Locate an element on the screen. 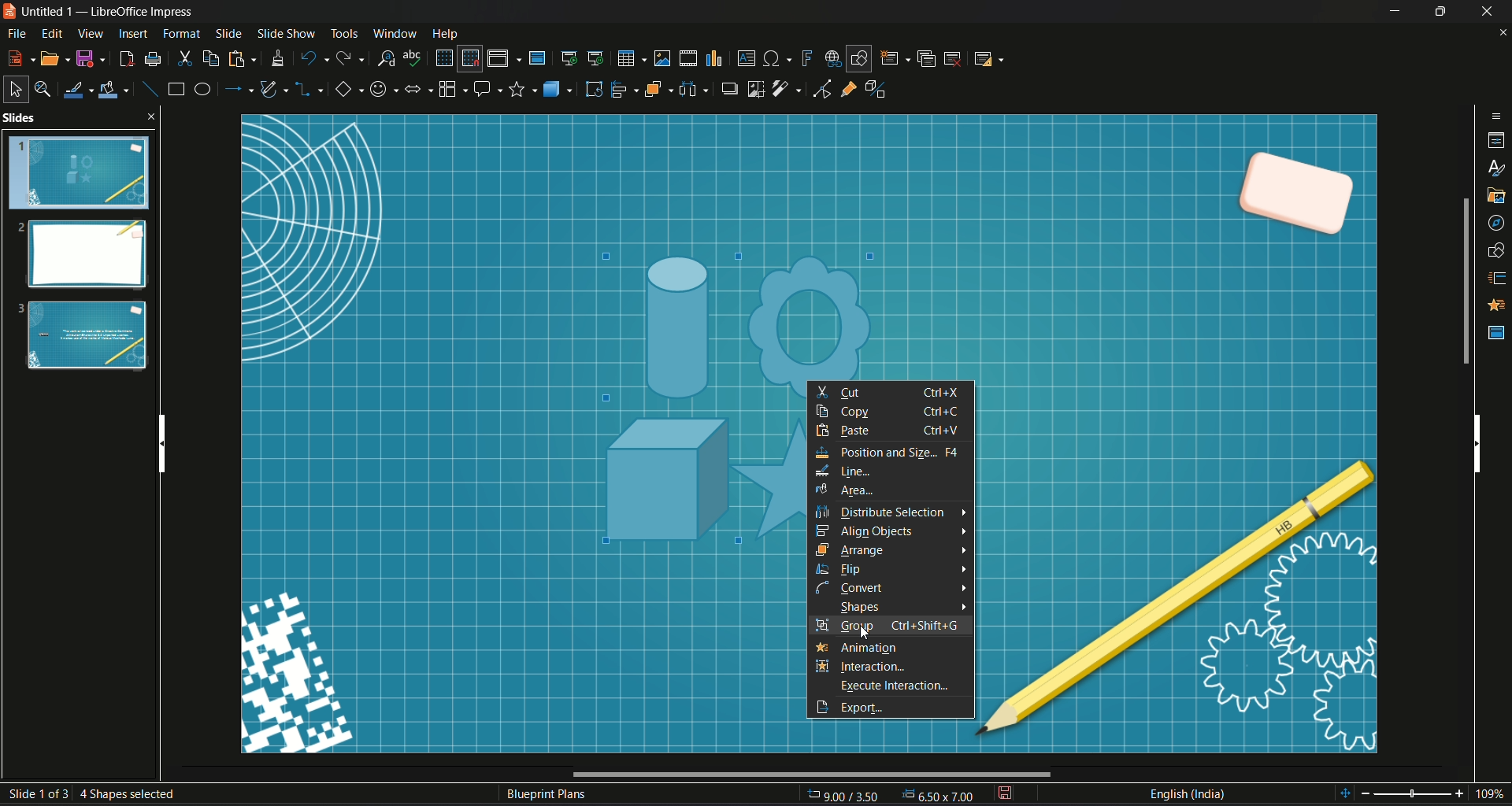  show draw function is located at coordinates (859, 58).